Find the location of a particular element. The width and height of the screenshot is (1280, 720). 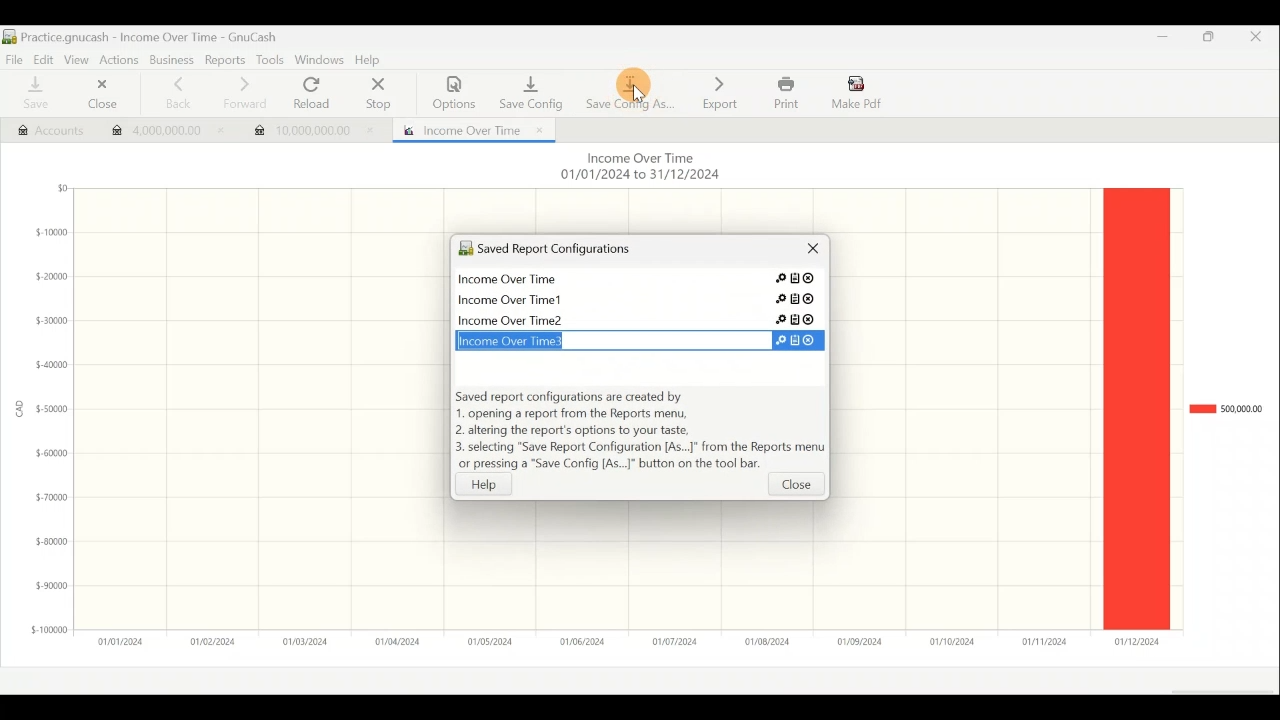

Chart legend is located at coordinates (1225, 409).